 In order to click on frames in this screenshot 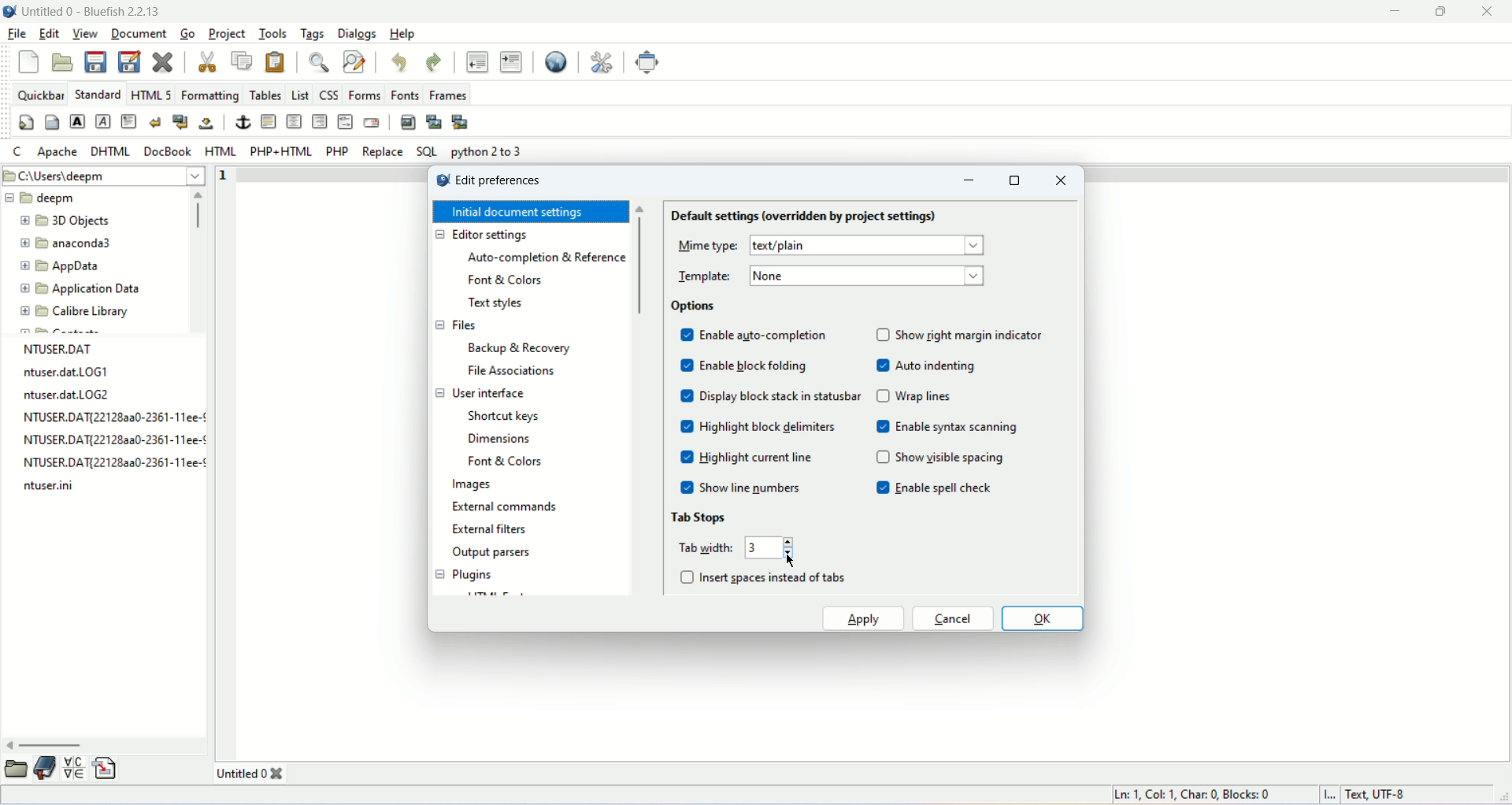, I will do `click(447, 95)`.